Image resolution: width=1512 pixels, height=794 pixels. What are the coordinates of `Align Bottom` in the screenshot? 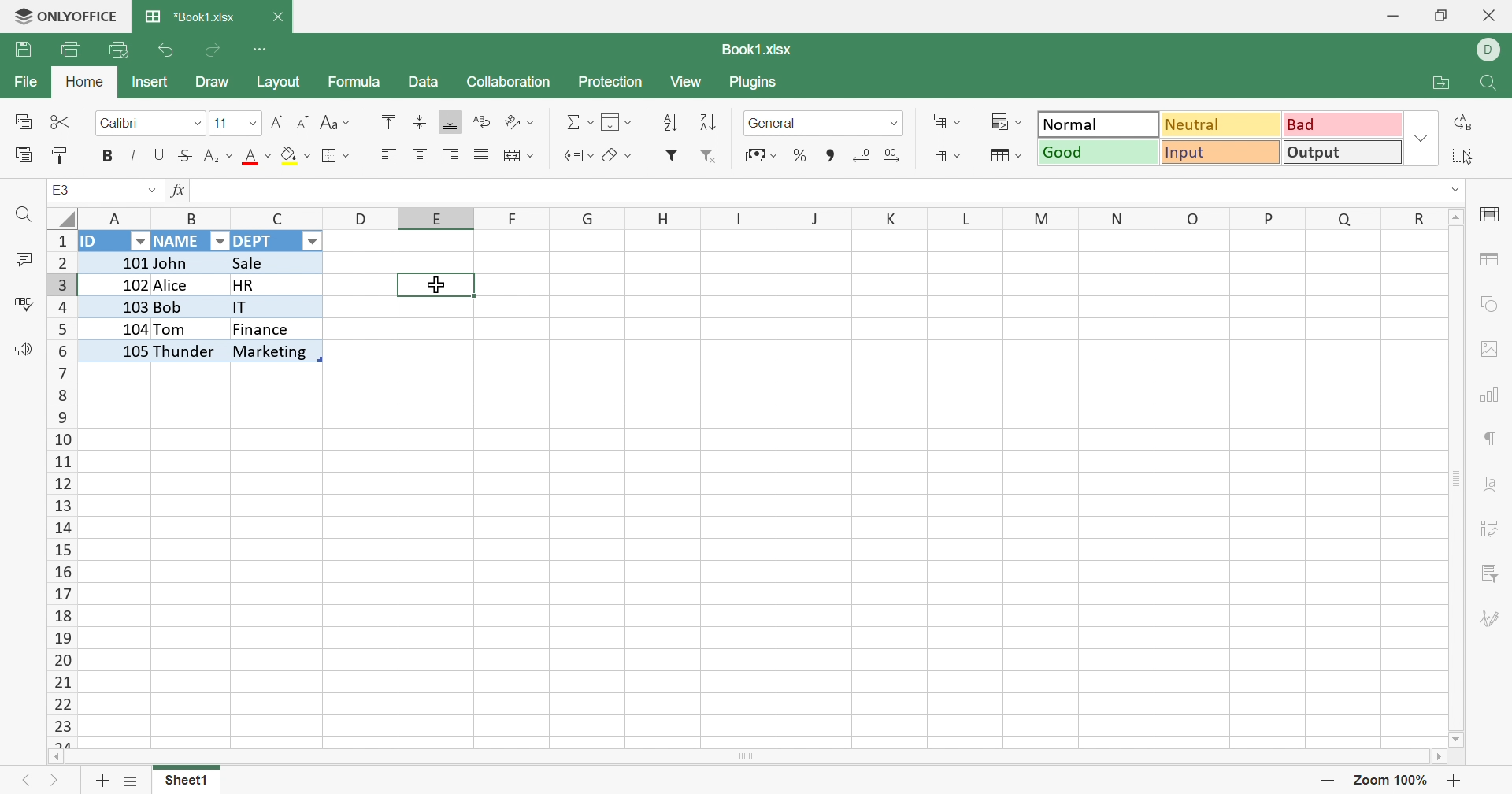 It's located at (448, 121).